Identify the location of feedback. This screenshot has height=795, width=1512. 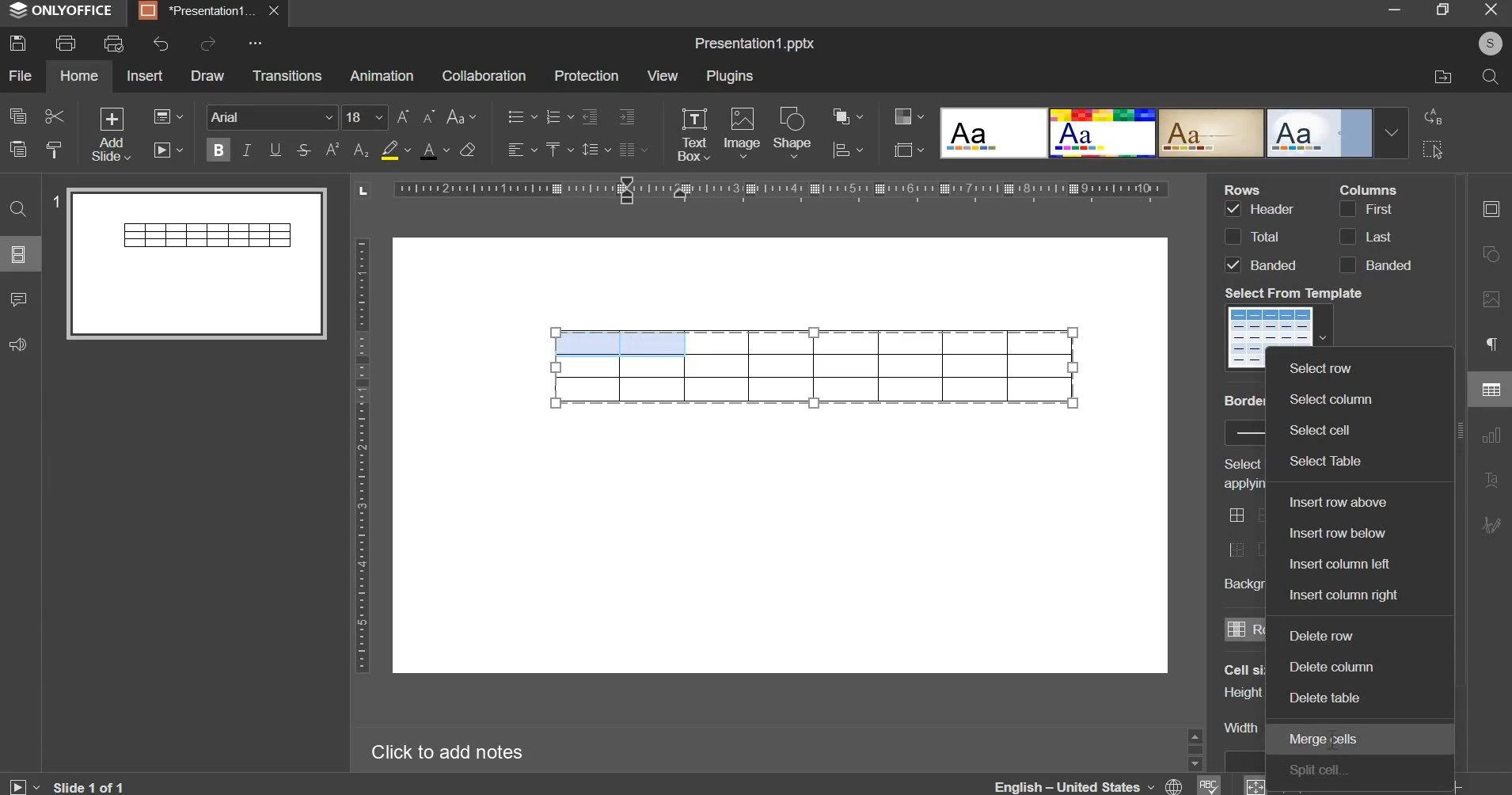
(16, 345).